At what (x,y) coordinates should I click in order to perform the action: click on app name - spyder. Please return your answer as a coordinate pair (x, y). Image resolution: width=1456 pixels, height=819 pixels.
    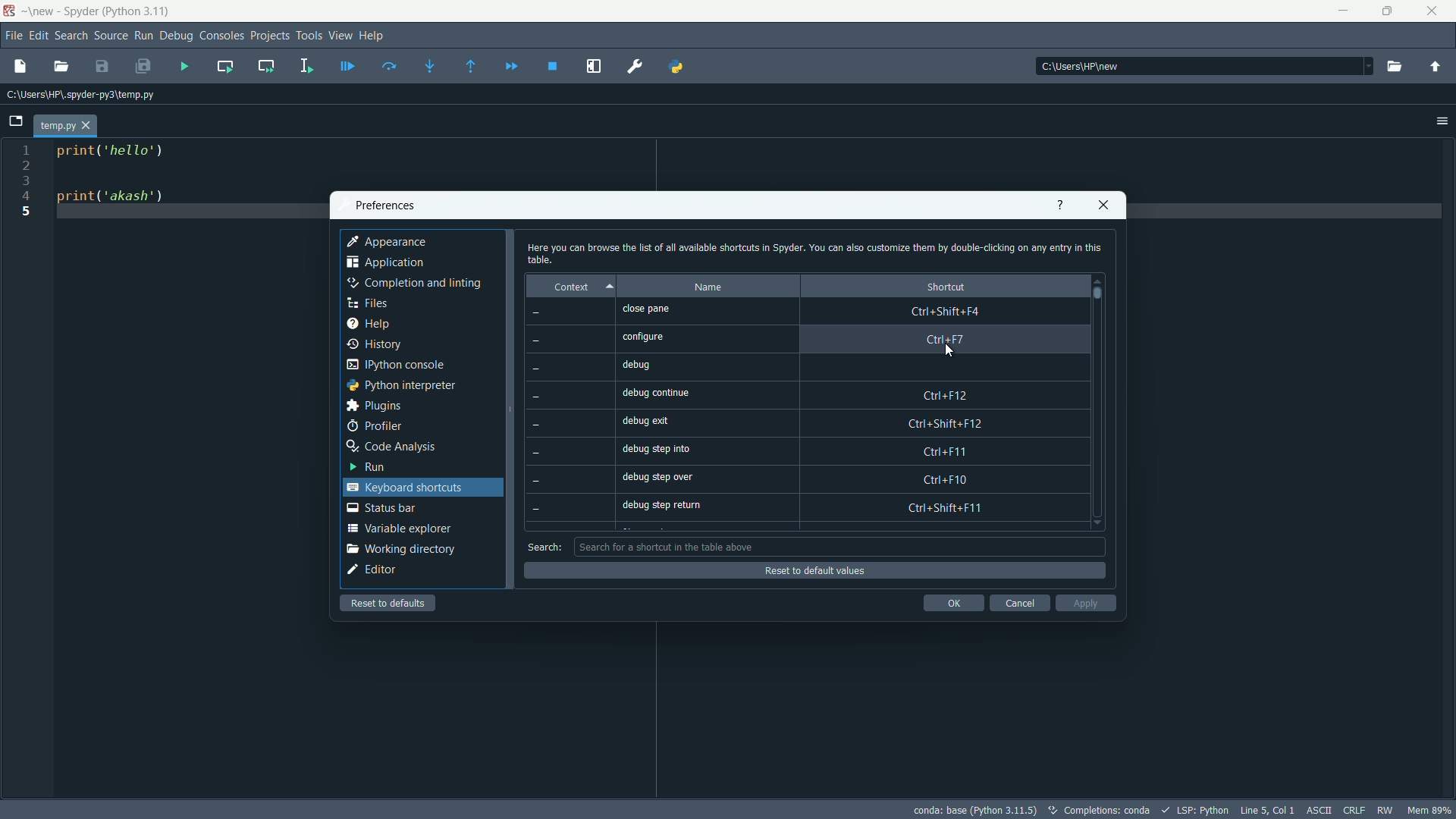
    Looking at the image, I should click on (94, 13).